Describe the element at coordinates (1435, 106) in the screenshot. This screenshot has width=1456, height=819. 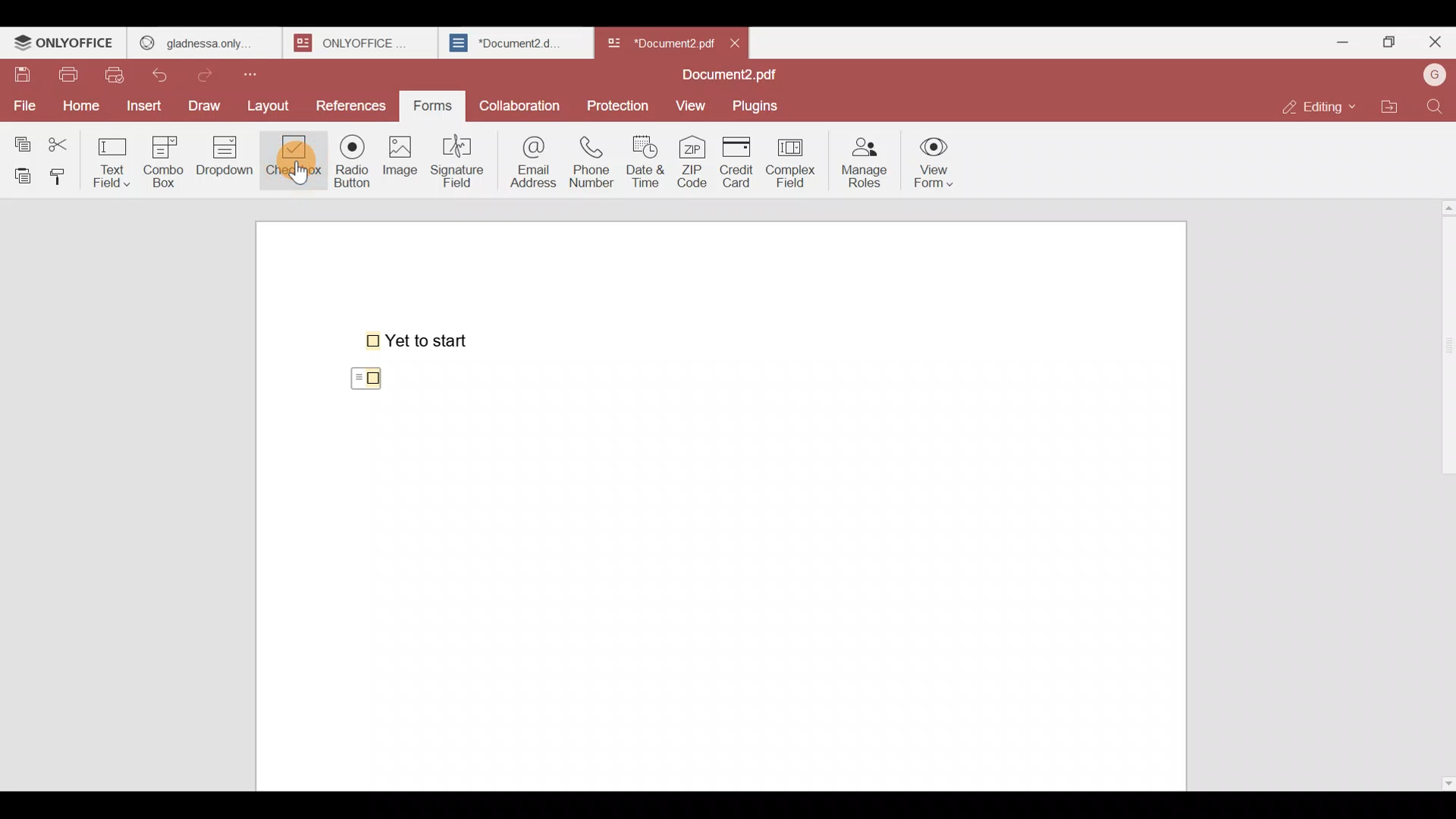
I see `Find` at that location.